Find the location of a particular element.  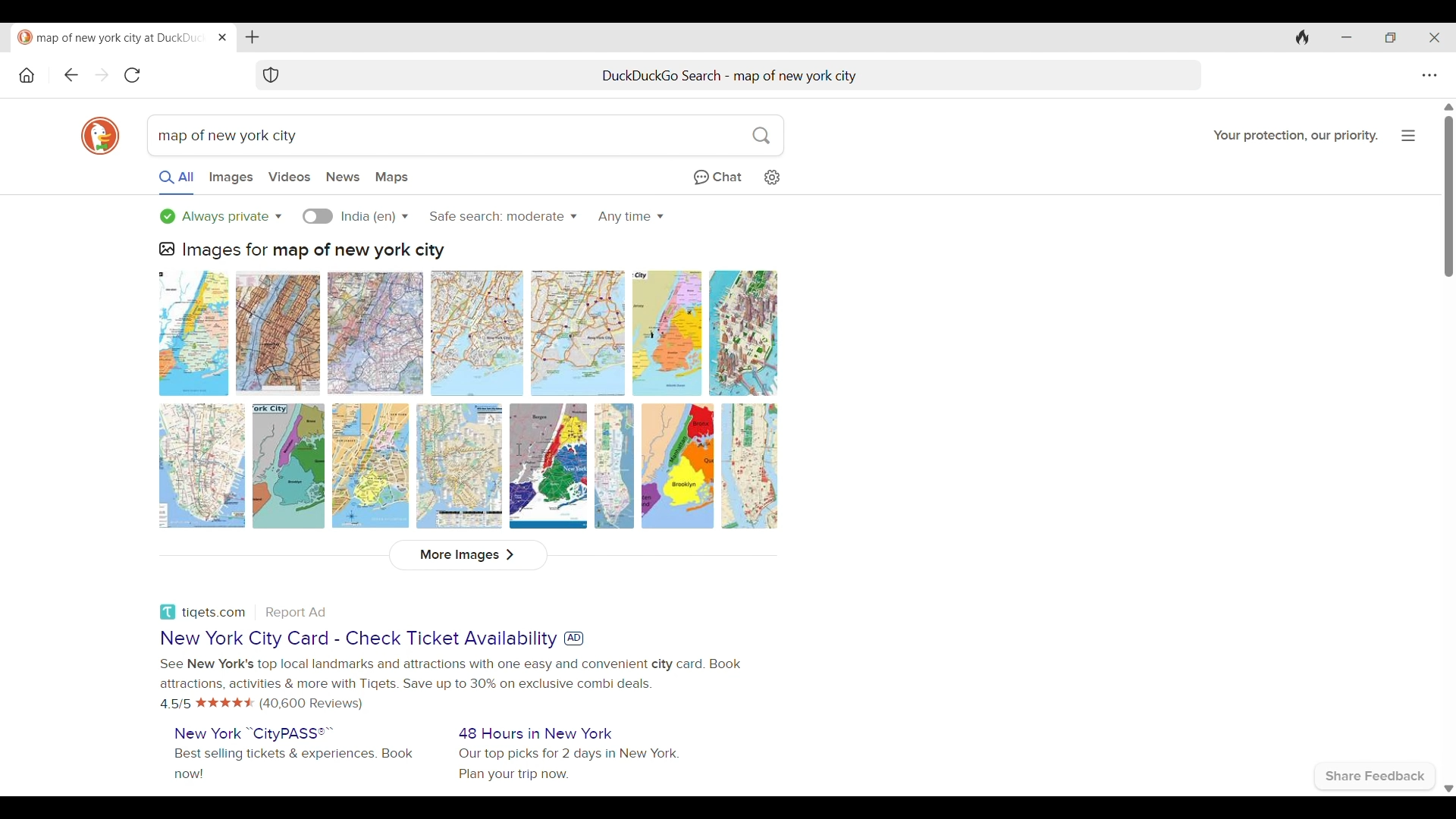

Close tab is located at coordinates (223, 37).